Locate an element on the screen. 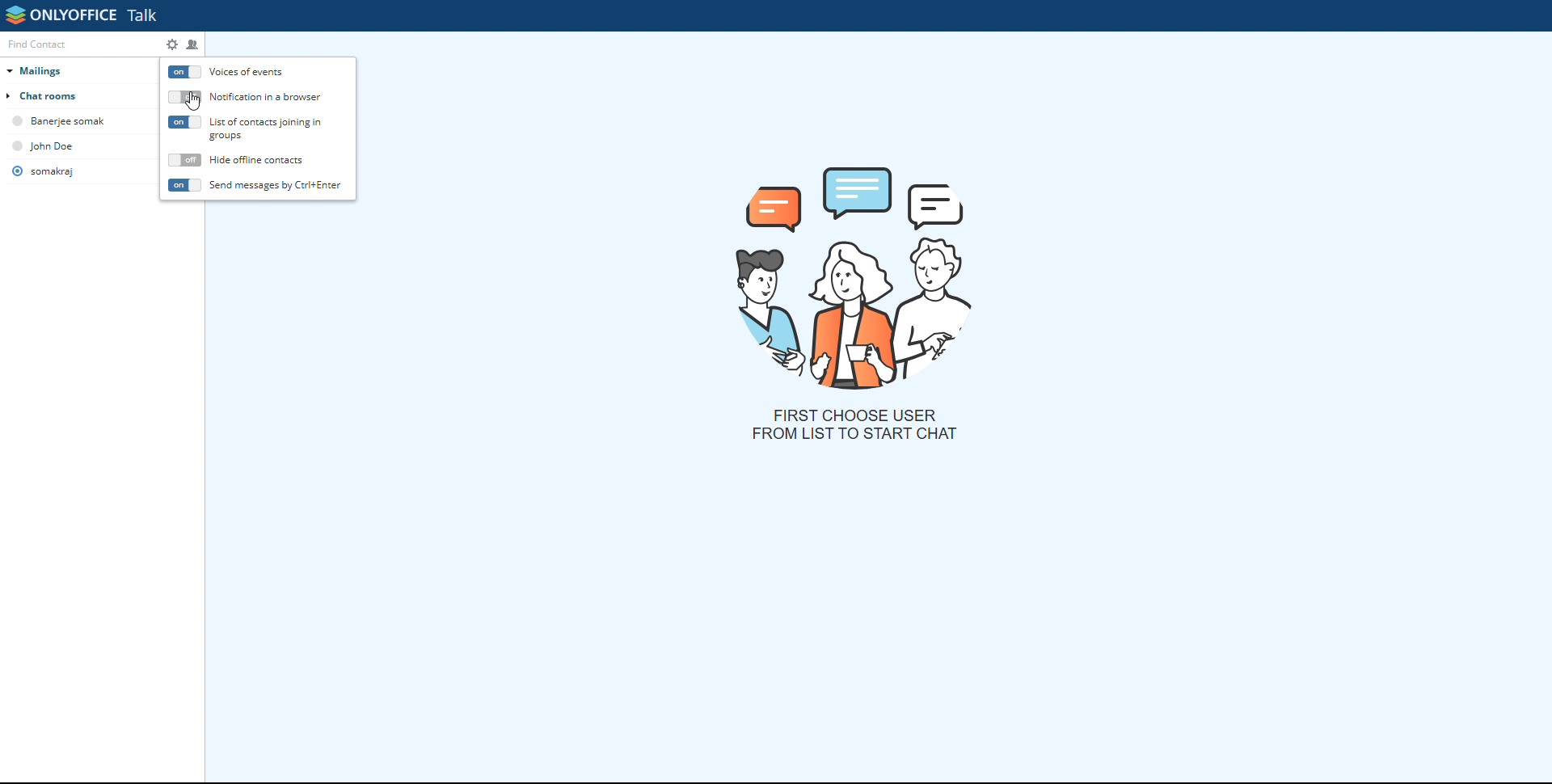  find contact is located at coordinates (80, 44).